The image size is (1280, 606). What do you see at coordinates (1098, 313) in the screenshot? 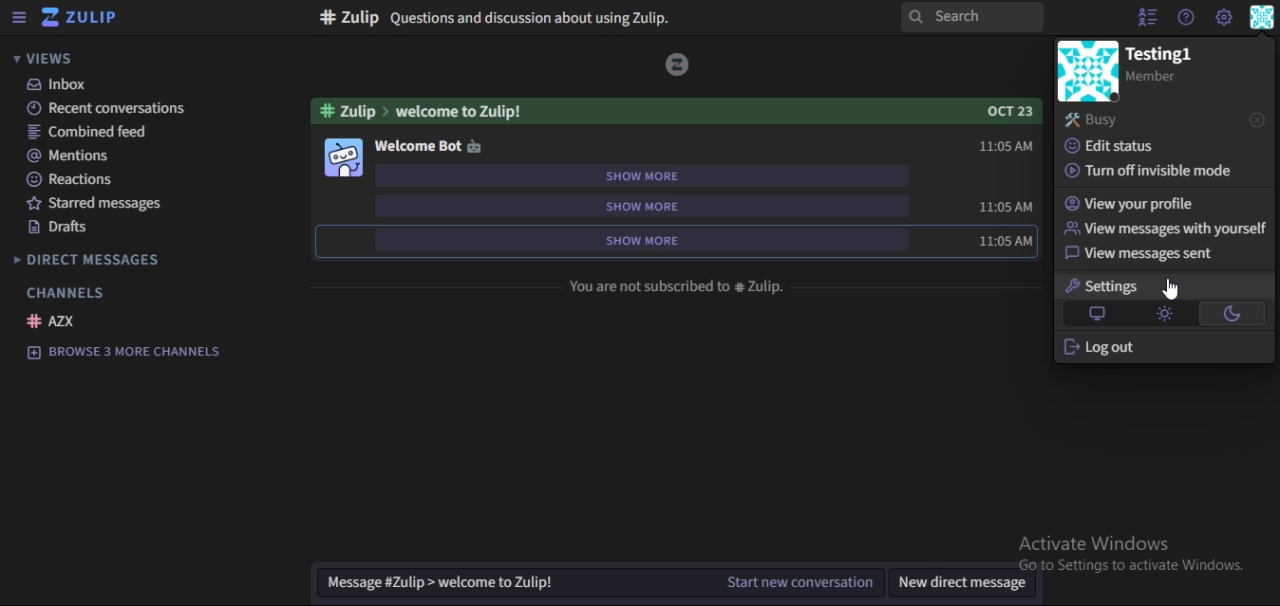
I see `default theme` at bounding box center [1098, 313].